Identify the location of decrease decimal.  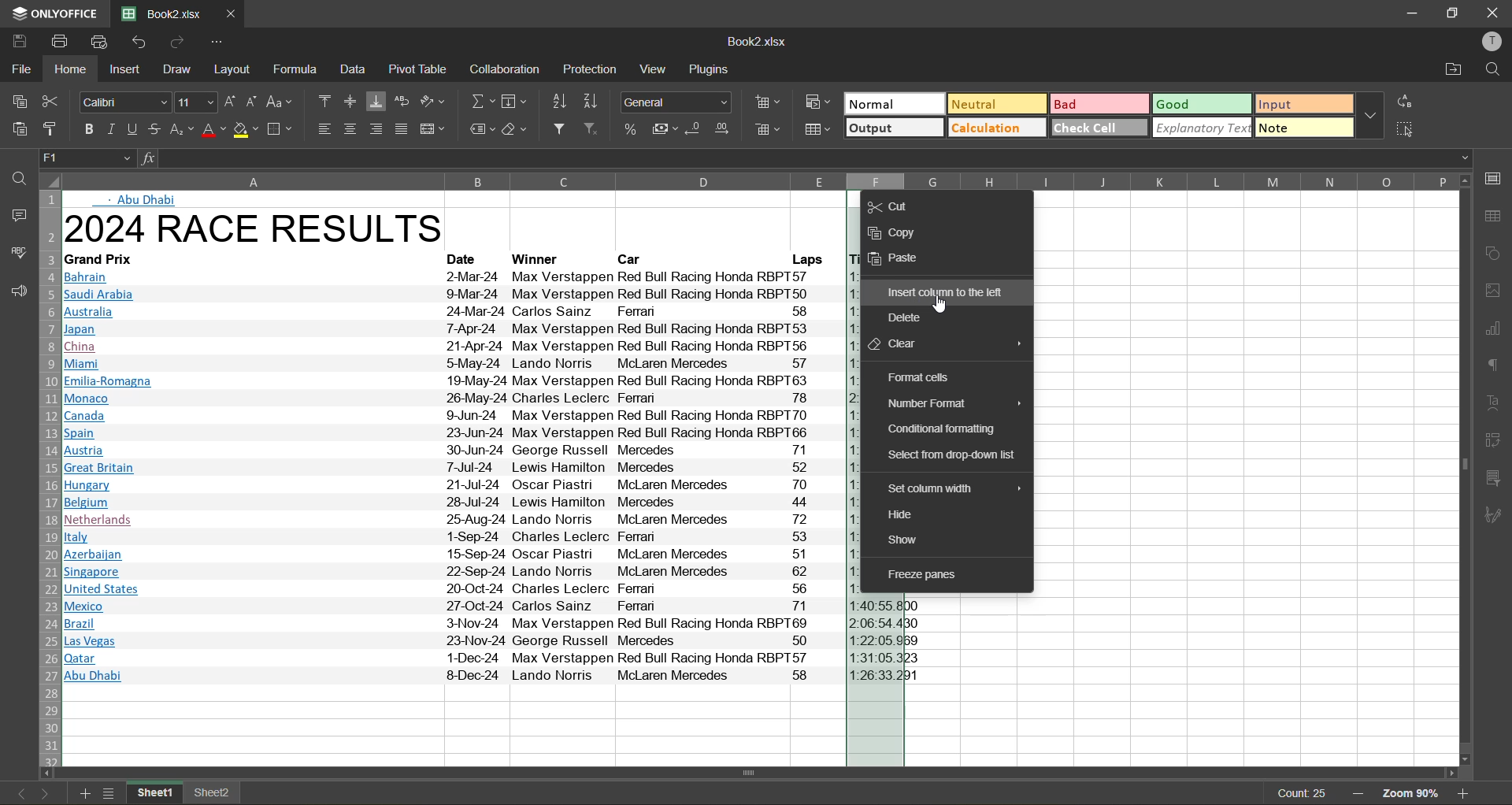
(698, 127).